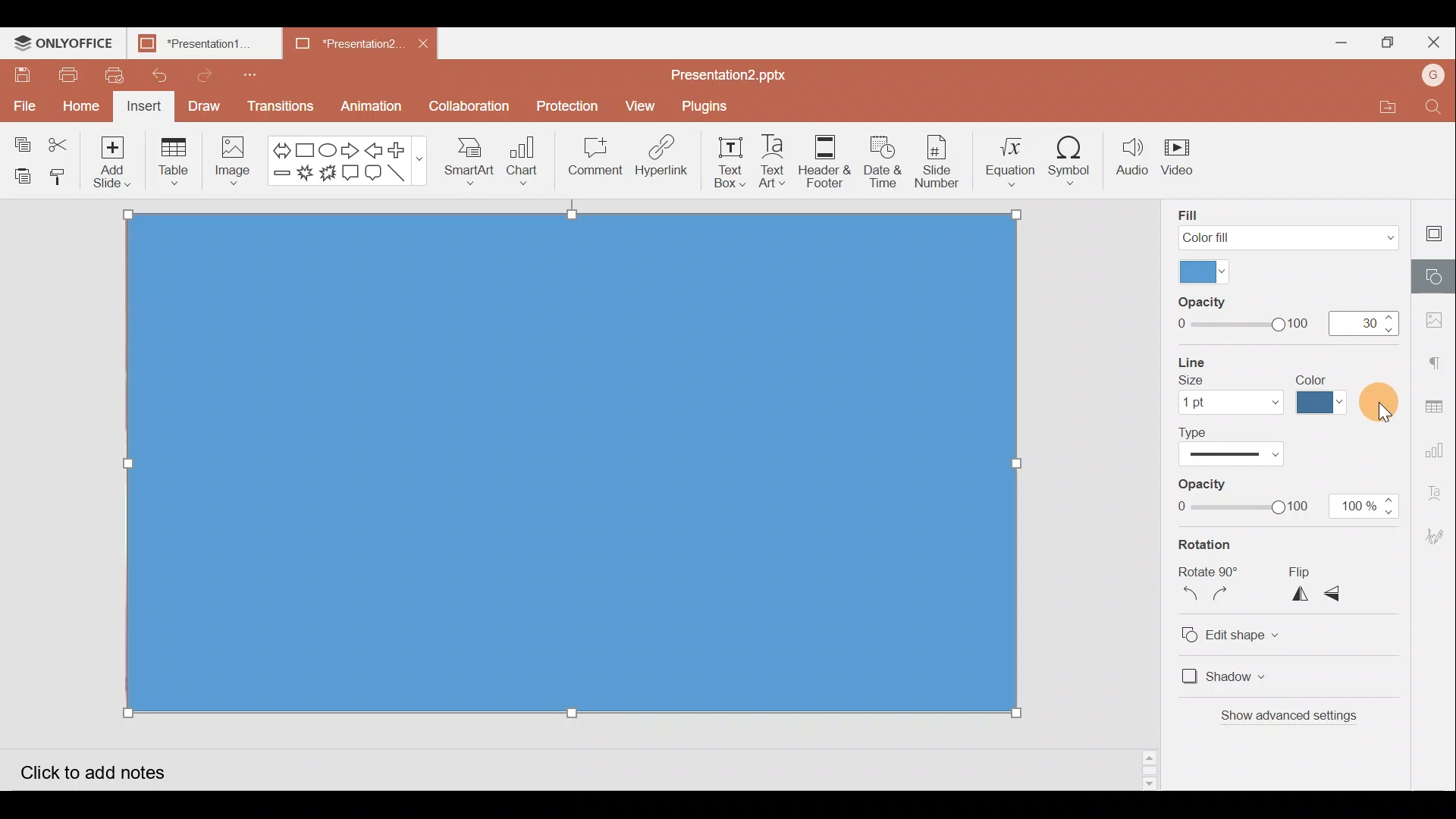  I want to click on Save, so click(22, 75).